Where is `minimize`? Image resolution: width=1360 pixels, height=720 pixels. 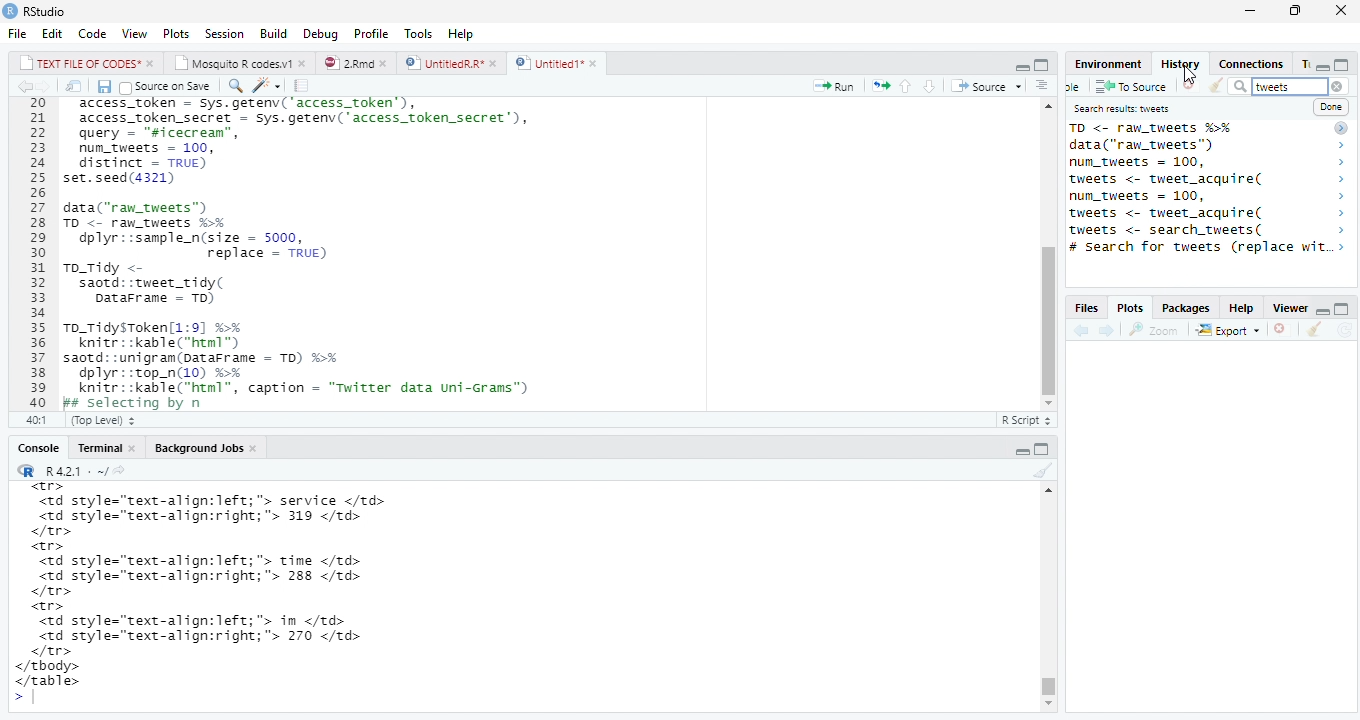 minimize is located at coordinates (1252, 11).